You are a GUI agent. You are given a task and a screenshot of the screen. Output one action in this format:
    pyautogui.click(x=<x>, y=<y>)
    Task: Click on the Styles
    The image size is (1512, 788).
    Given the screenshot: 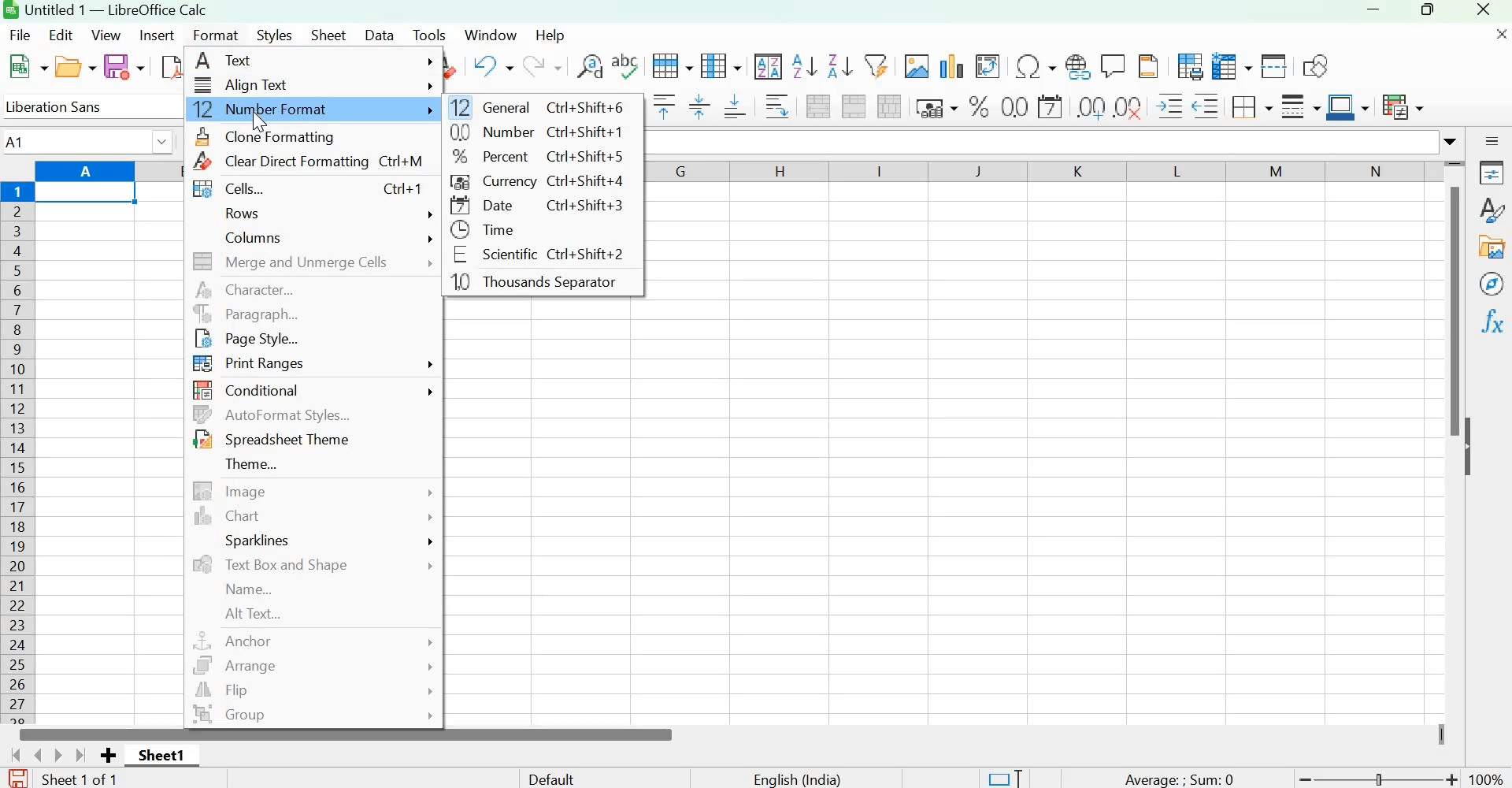 What is the action you would take?
    pyautogui.click(x=1492, y=210)
    